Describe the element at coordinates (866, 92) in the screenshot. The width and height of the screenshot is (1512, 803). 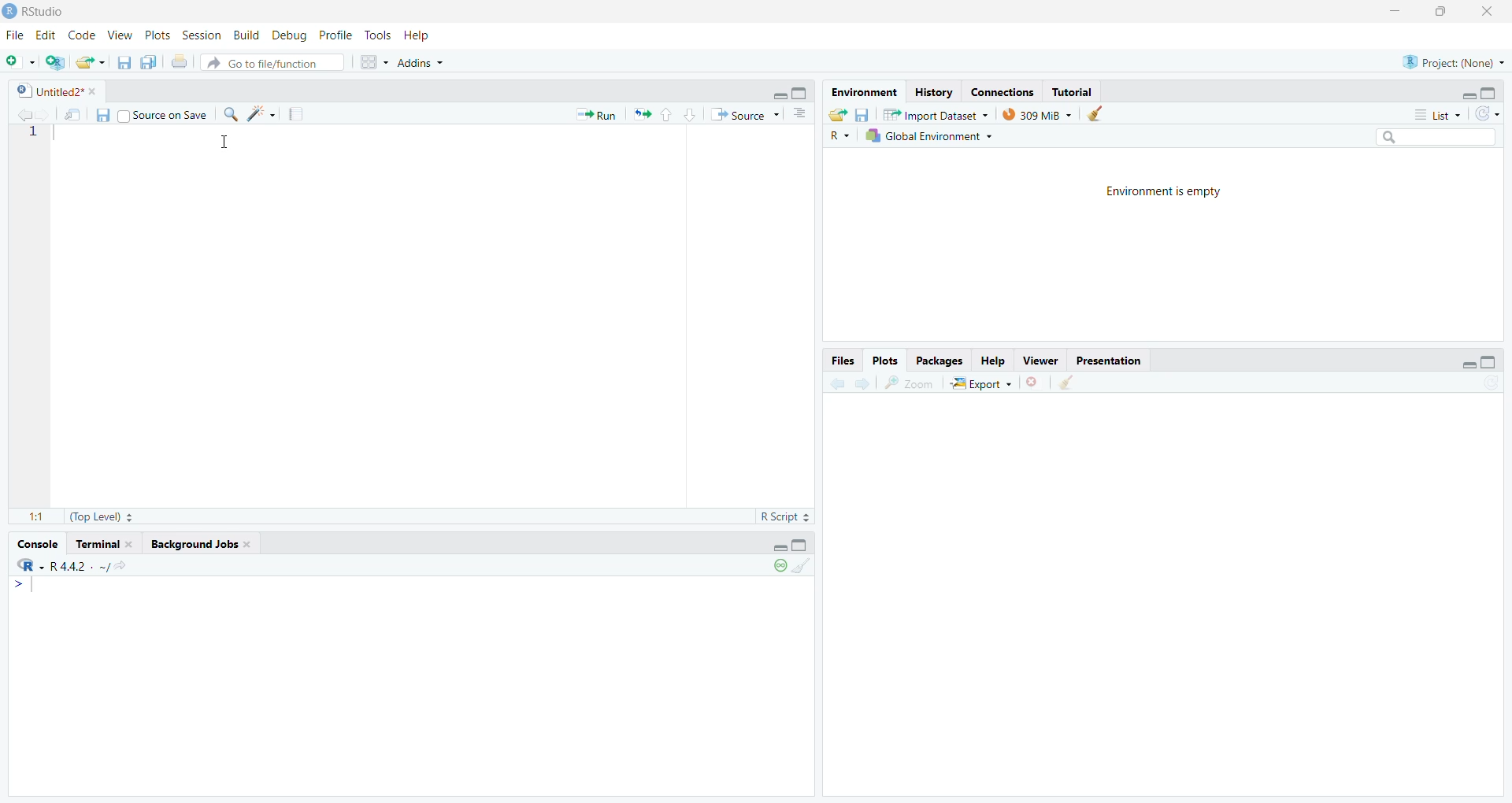
I see `Environment` at that location.